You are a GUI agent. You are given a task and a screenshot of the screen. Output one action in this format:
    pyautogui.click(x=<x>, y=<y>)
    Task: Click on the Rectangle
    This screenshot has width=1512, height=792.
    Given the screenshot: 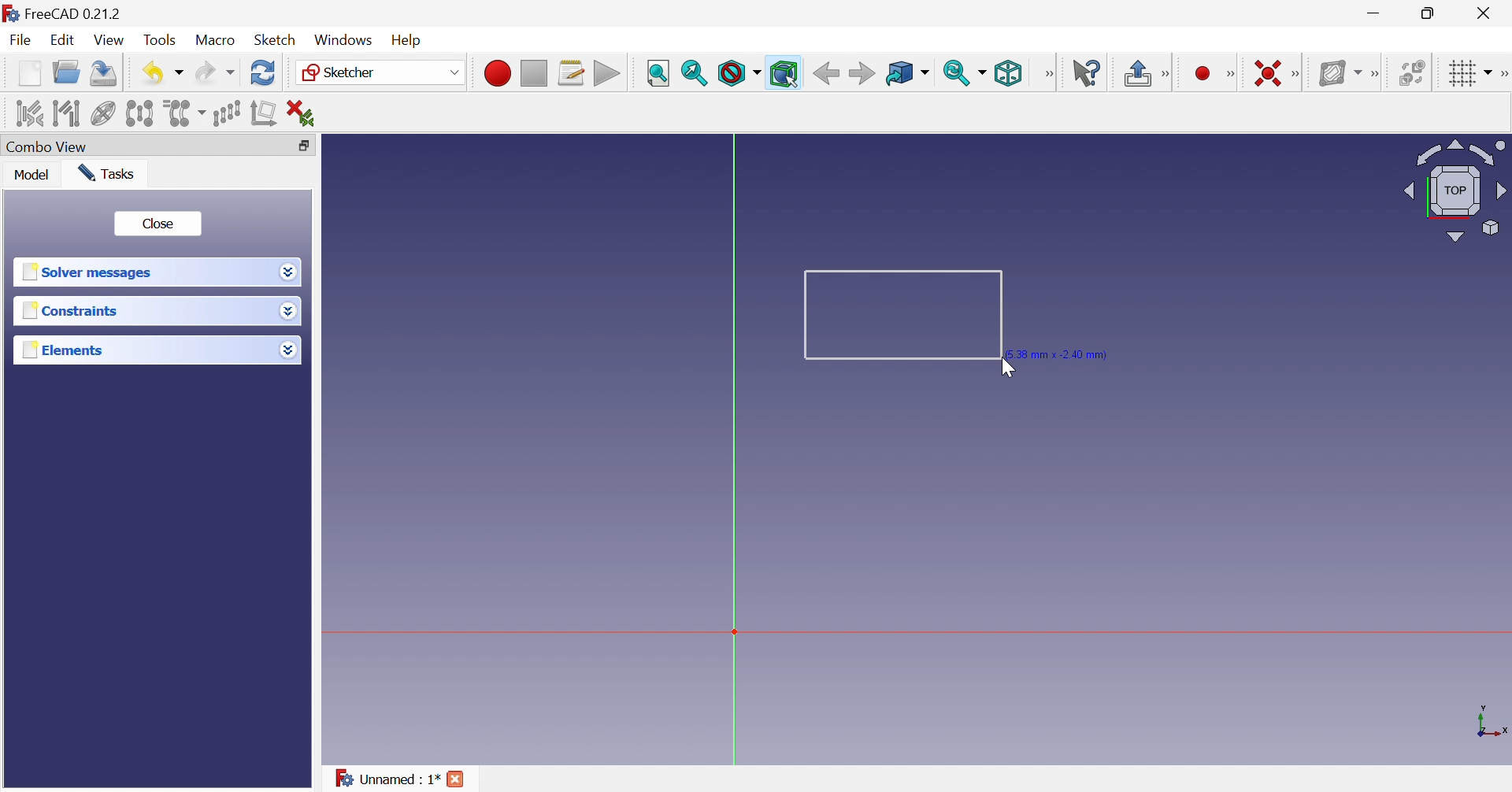 What is the action you would take?
    pyautogui.click(x=903, y=313)
    